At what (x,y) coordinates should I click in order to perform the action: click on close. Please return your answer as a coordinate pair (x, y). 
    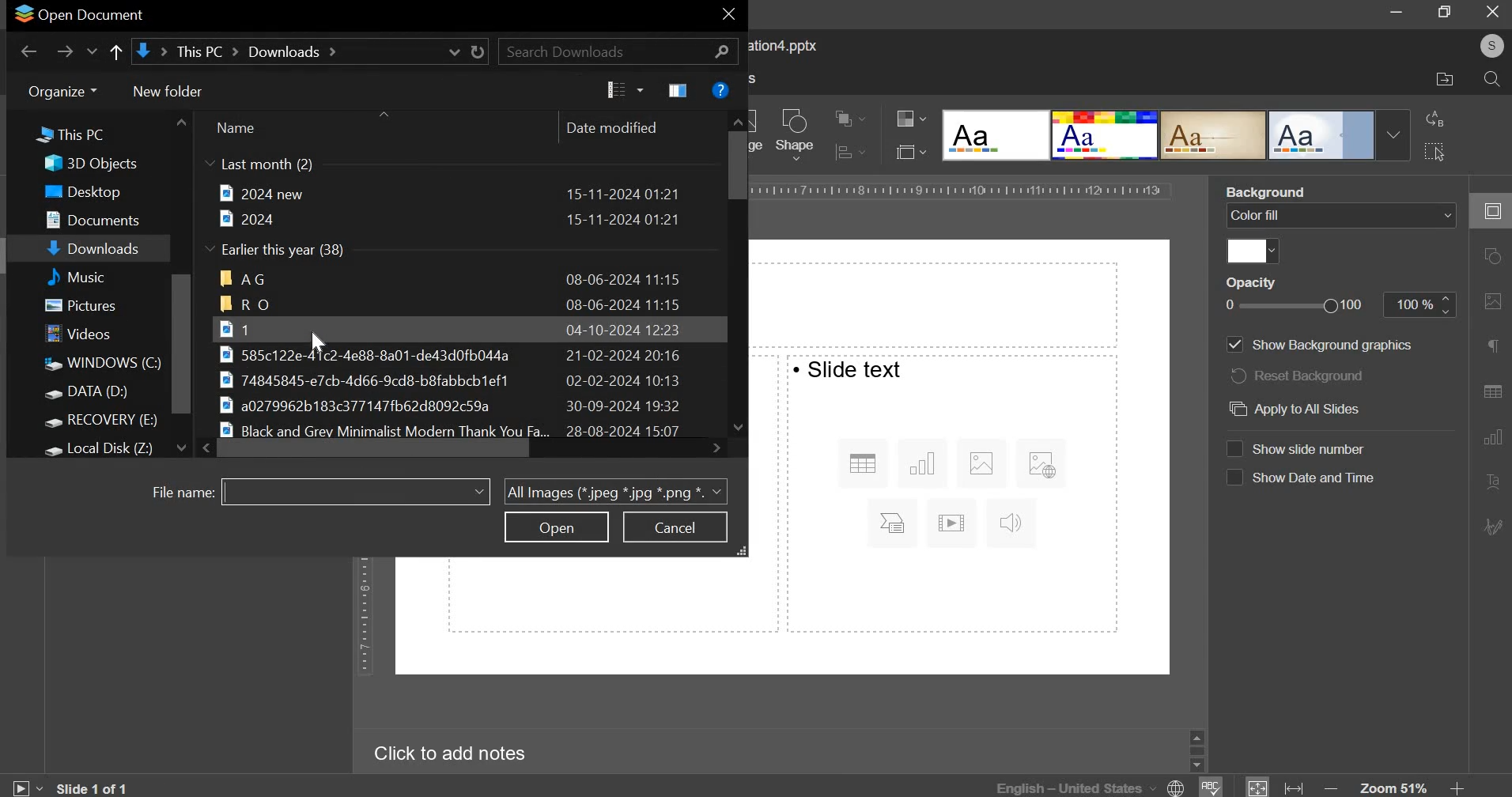
    Looking at the image, I should click on (1492, 11).